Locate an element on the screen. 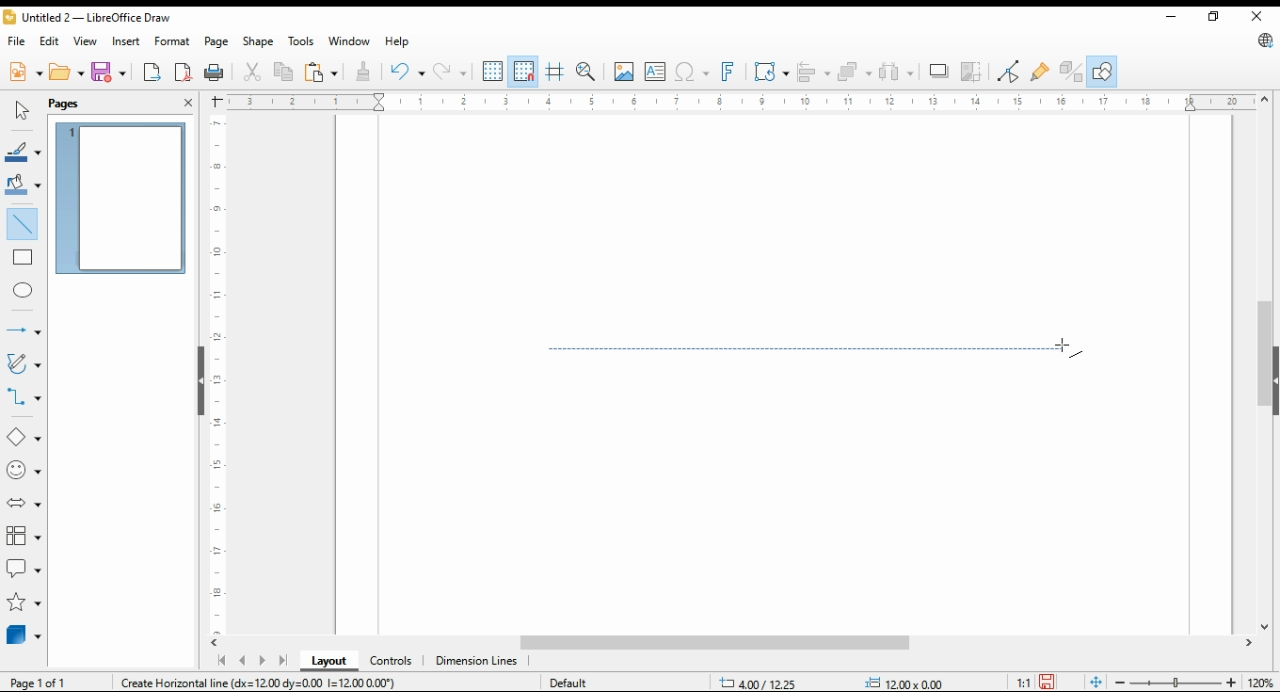 The height and width of the screenshot is (692, 1280). copy is located at coordinates (285, 71).